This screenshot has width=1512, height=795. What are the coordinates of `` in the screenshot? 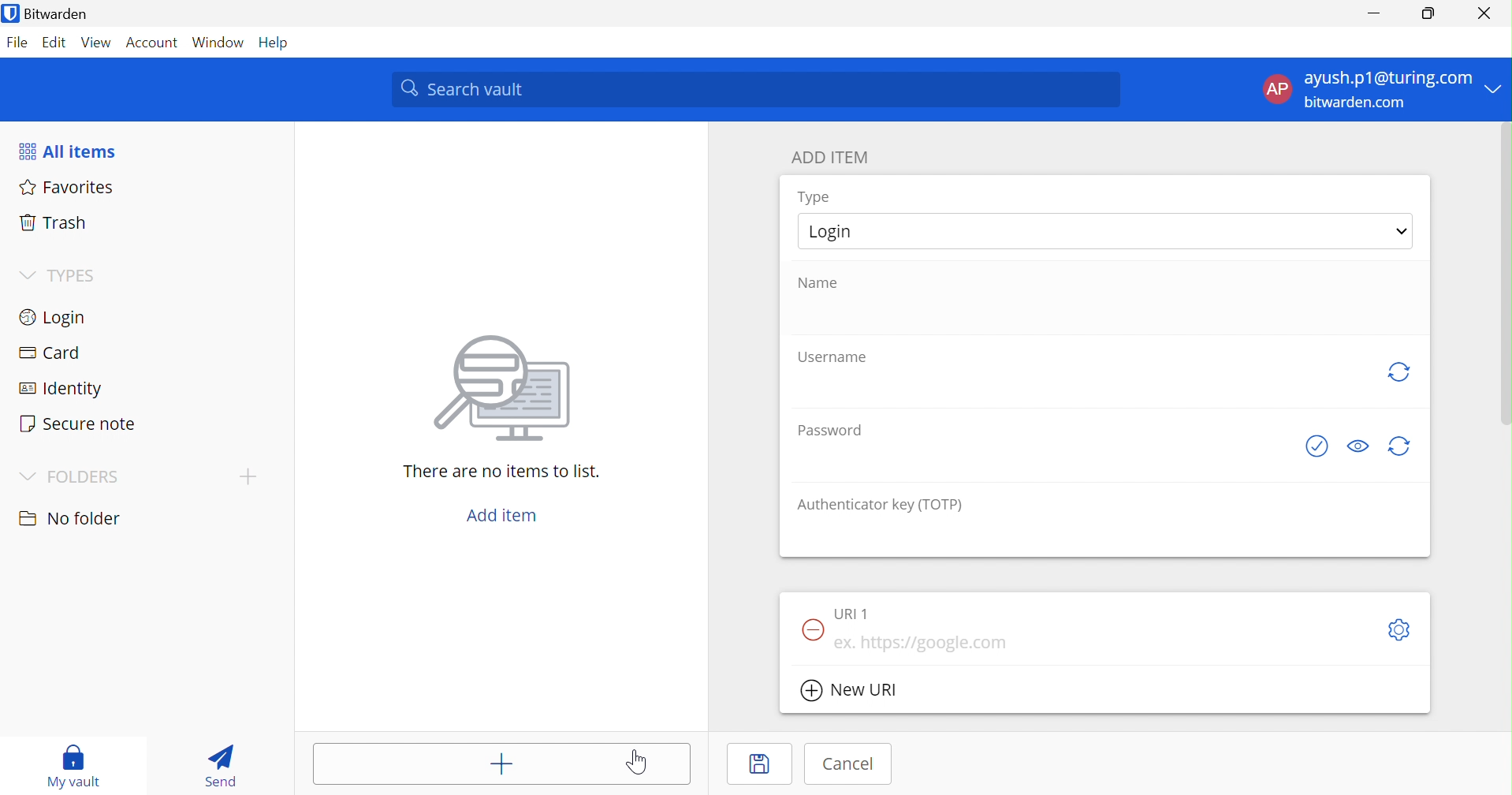 It's located at (810, 632).